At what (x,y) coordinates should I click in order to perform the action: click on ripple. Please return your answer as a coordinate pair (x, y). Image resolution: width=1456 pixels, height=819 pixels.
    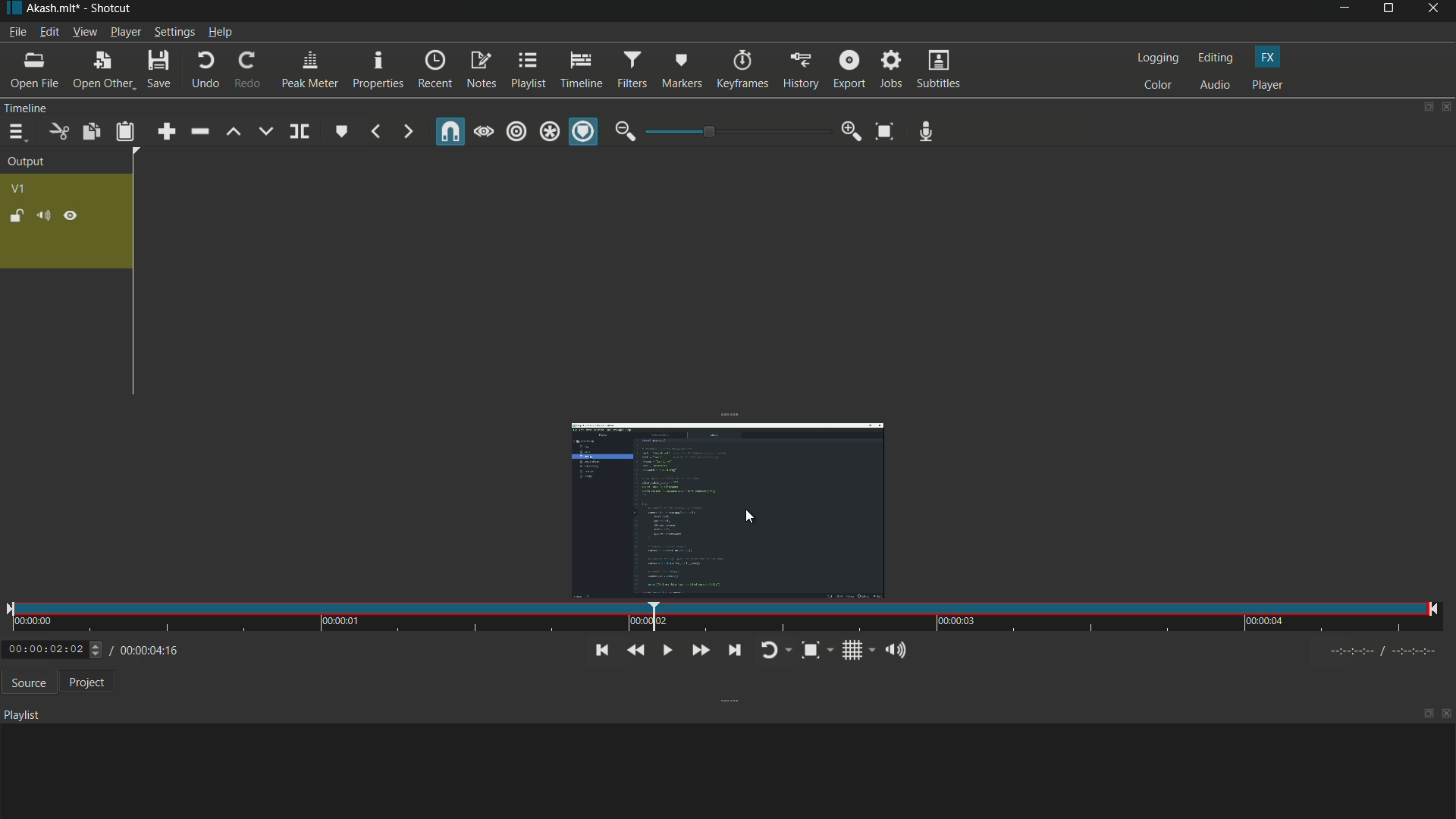
    Looking at the image, I should click on (517, 133).